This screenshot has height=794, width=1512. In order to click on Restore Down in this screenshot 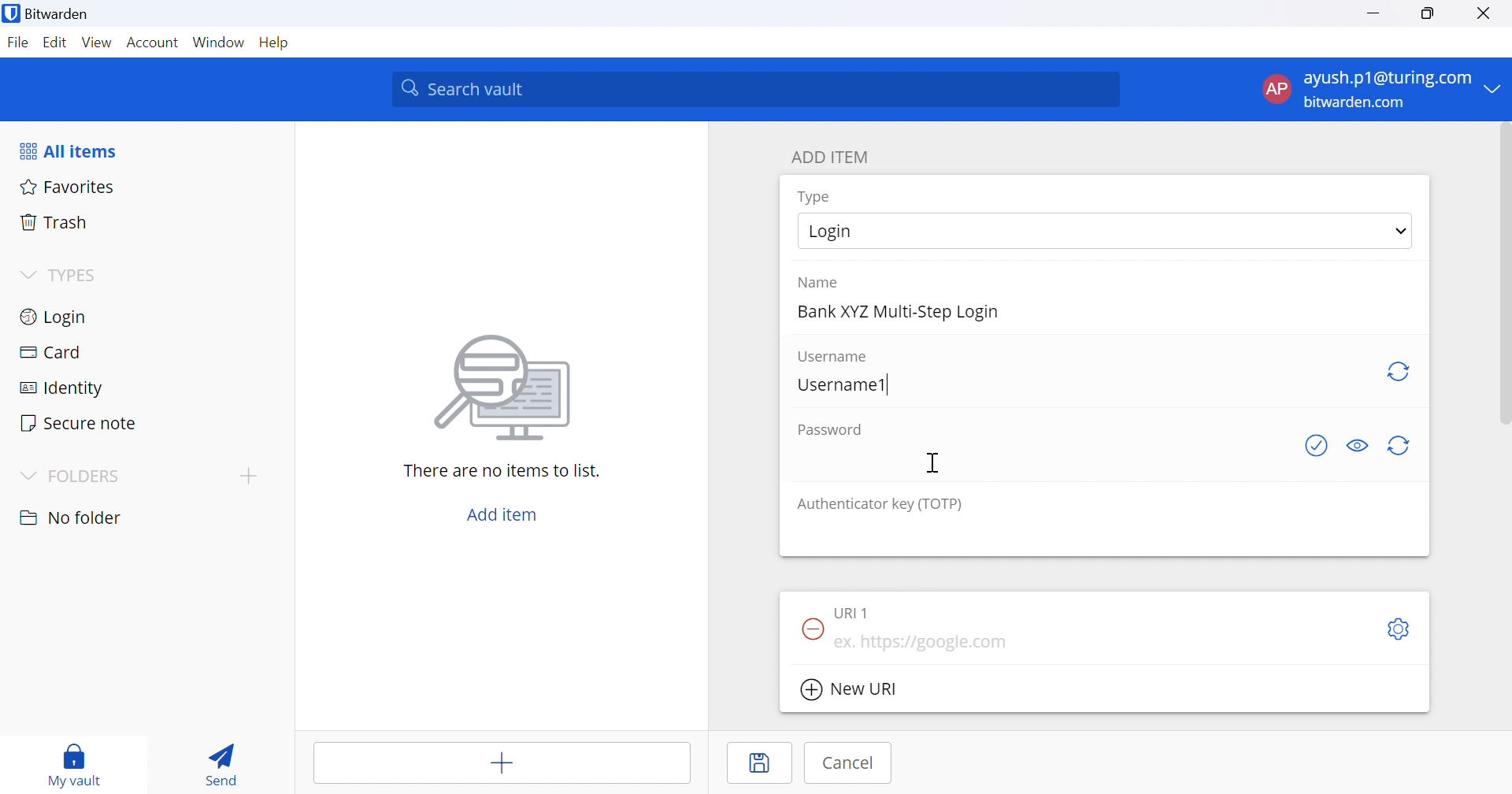, I will do `click(1429, 14)`.